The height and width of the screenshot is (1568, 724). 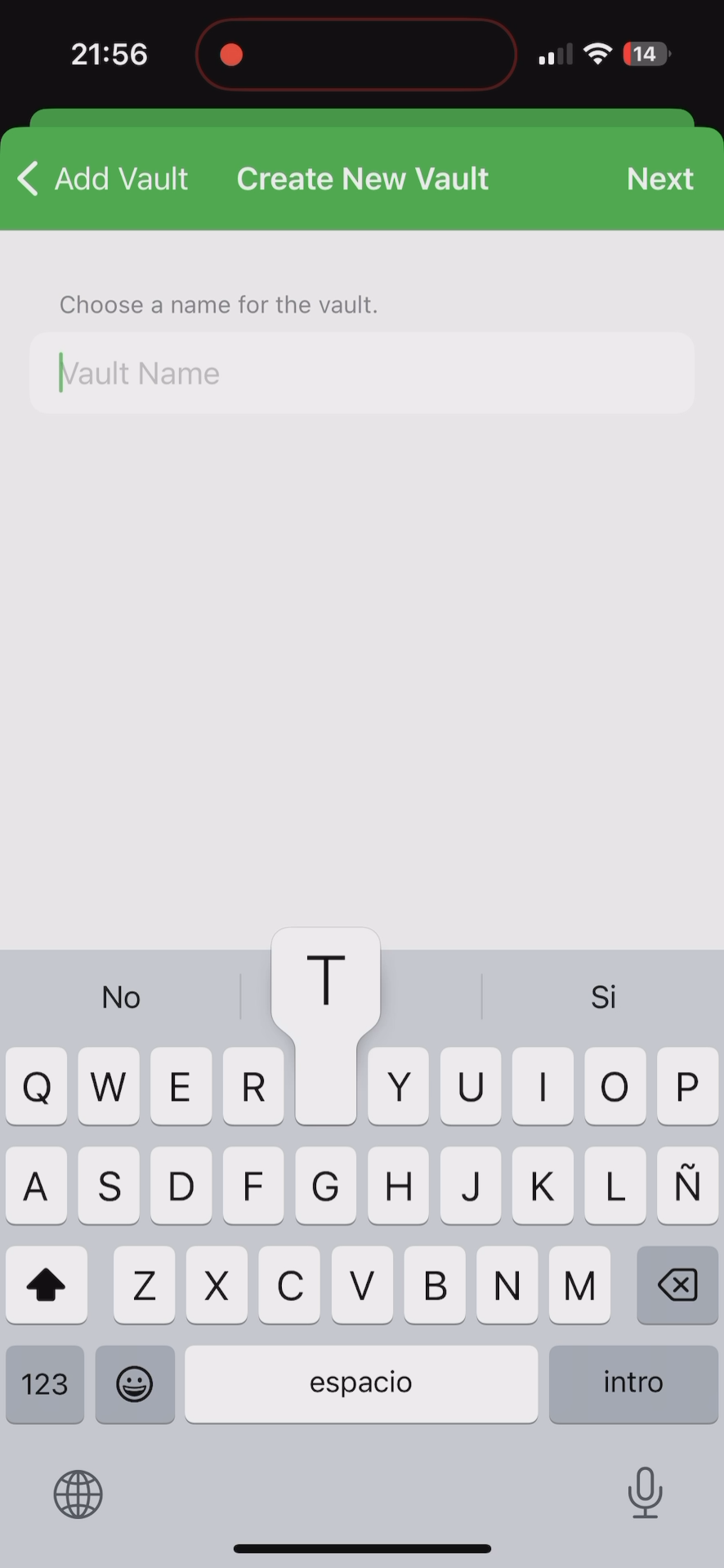 I want to click on signal, so click(x=553, y=55).